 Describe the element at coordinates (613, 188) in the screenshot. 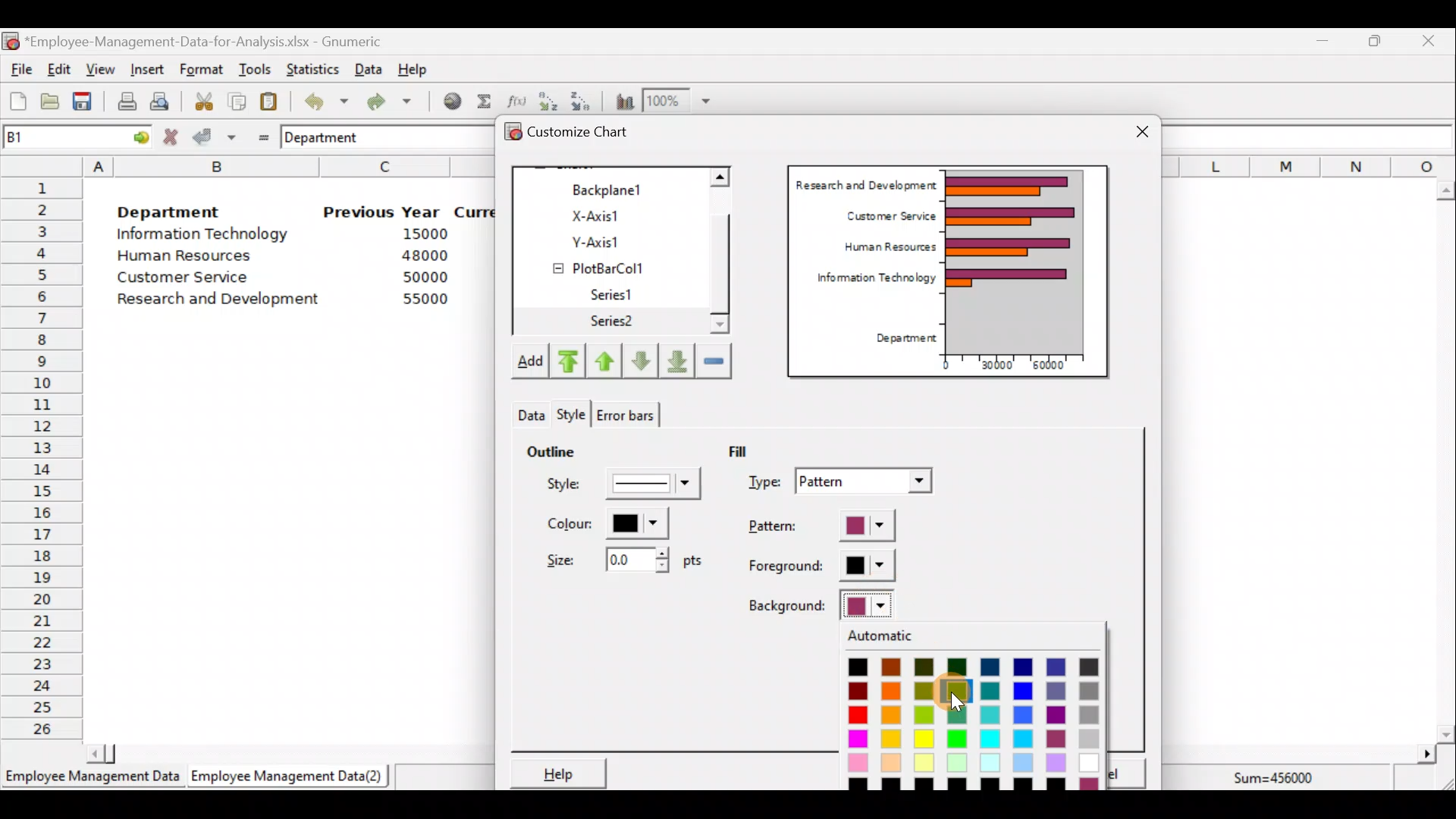

I see `Backplane1` at that location.